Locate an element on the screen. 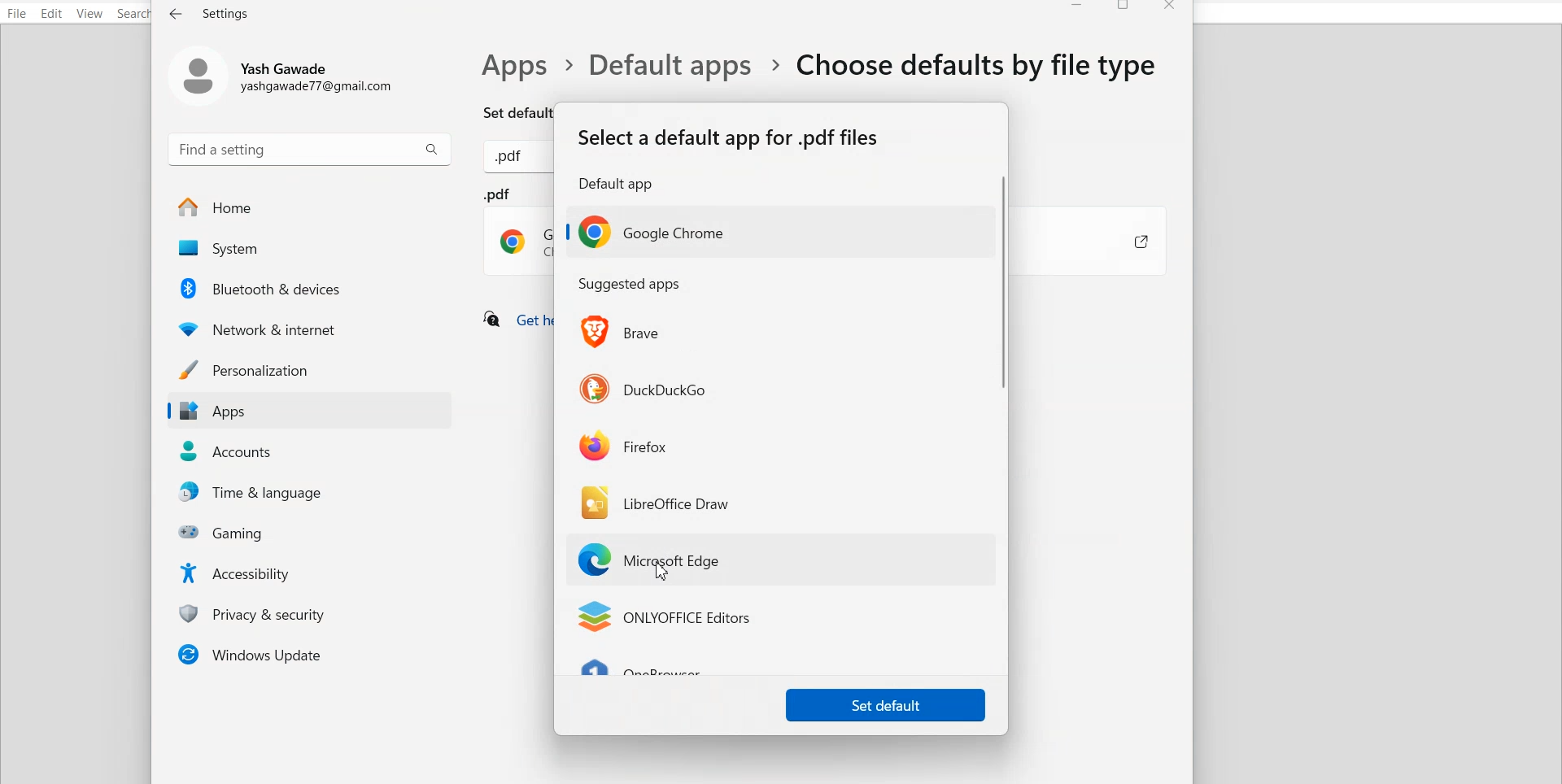 The height and width of the screenshot is (784, 1562). Window Updates is located at coordinates (308, 654).